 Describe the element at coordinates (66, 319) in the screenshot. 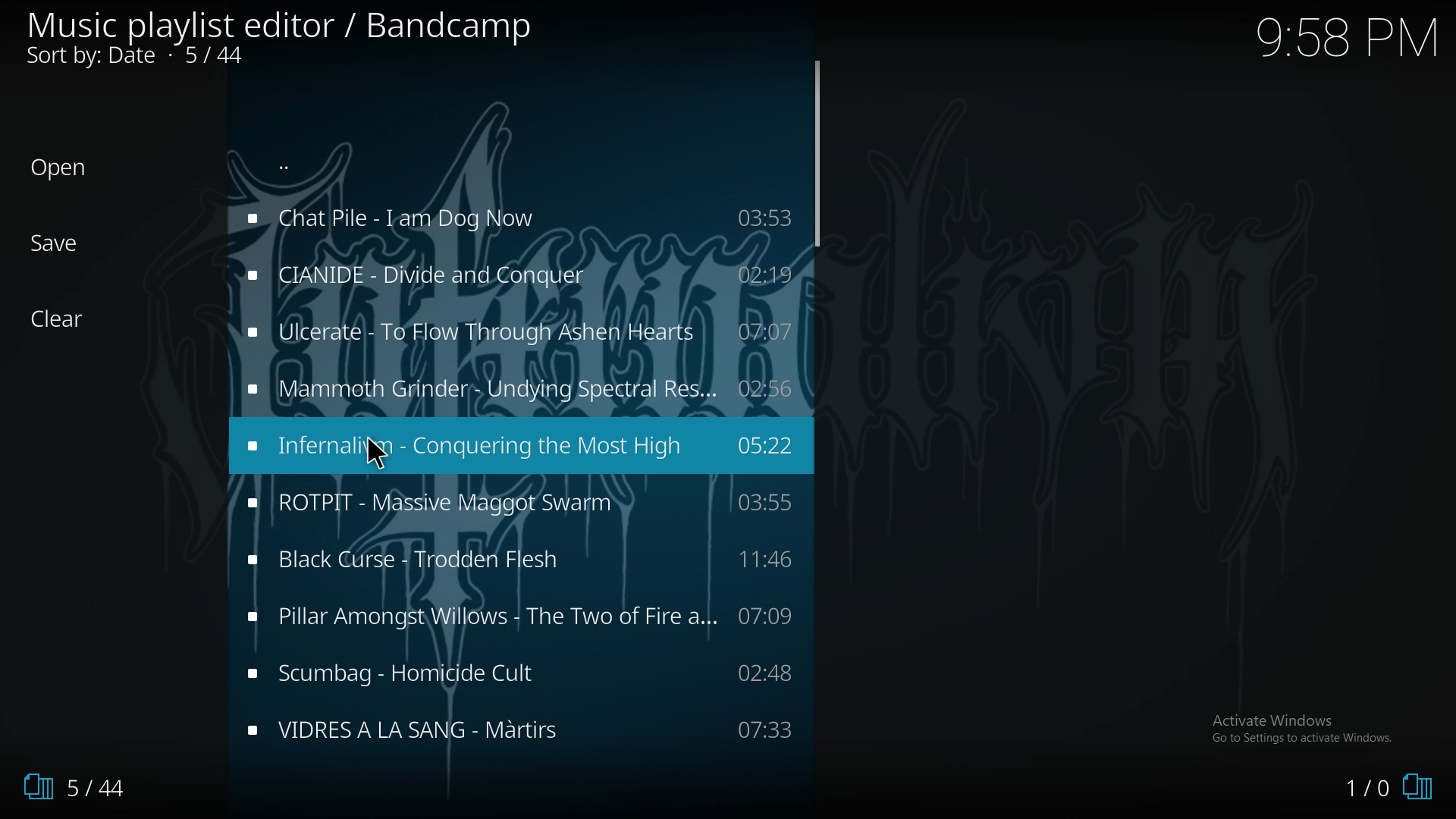

I see `Clear` at that location.